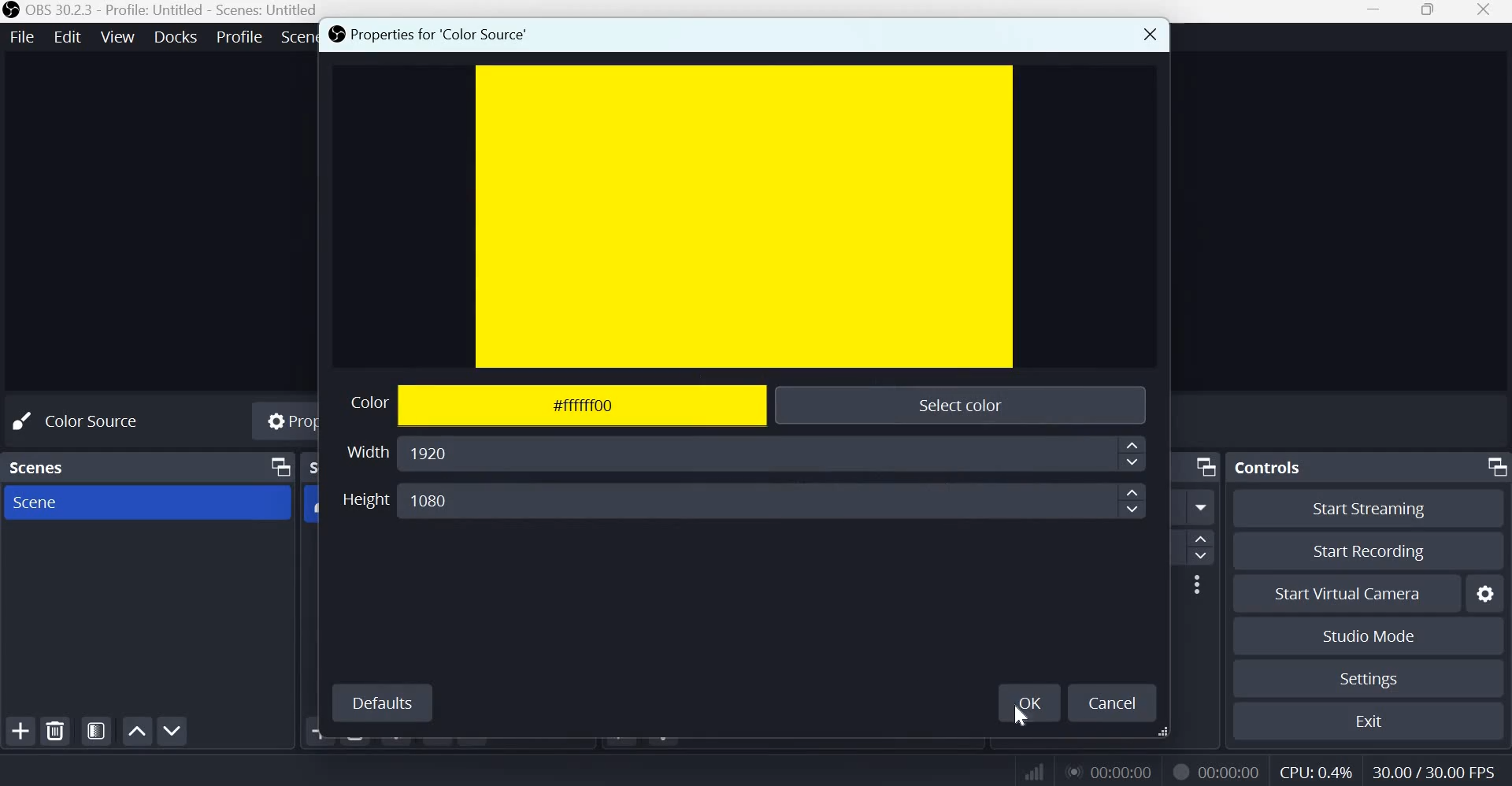  What do you see at coordinates (1272, 465) in the screenshot?
I see `Controls` at bounding box center [1272, 465].